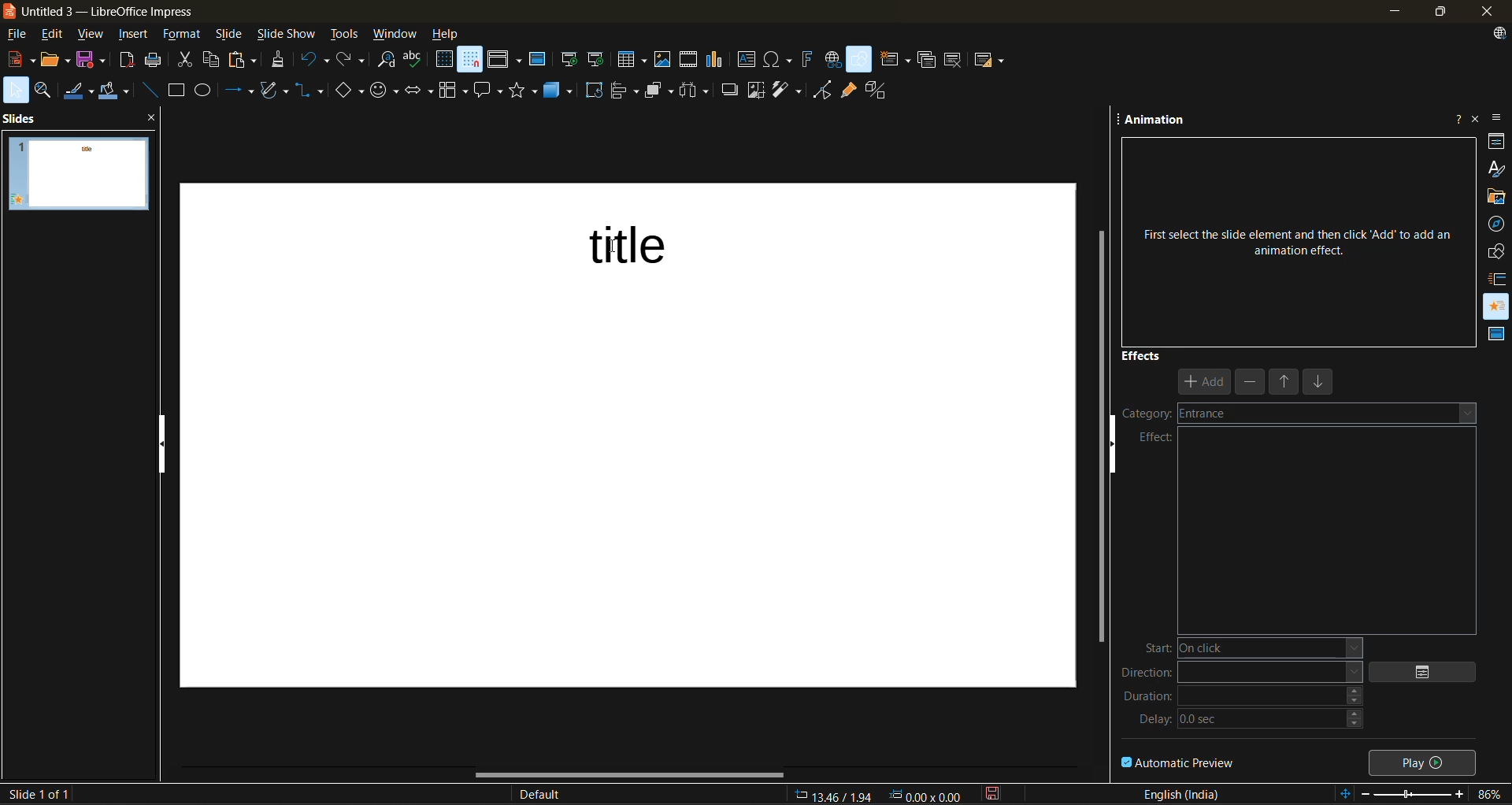 This screenshot has width=1512, height=805. I want to click on save, so click(93, 59).